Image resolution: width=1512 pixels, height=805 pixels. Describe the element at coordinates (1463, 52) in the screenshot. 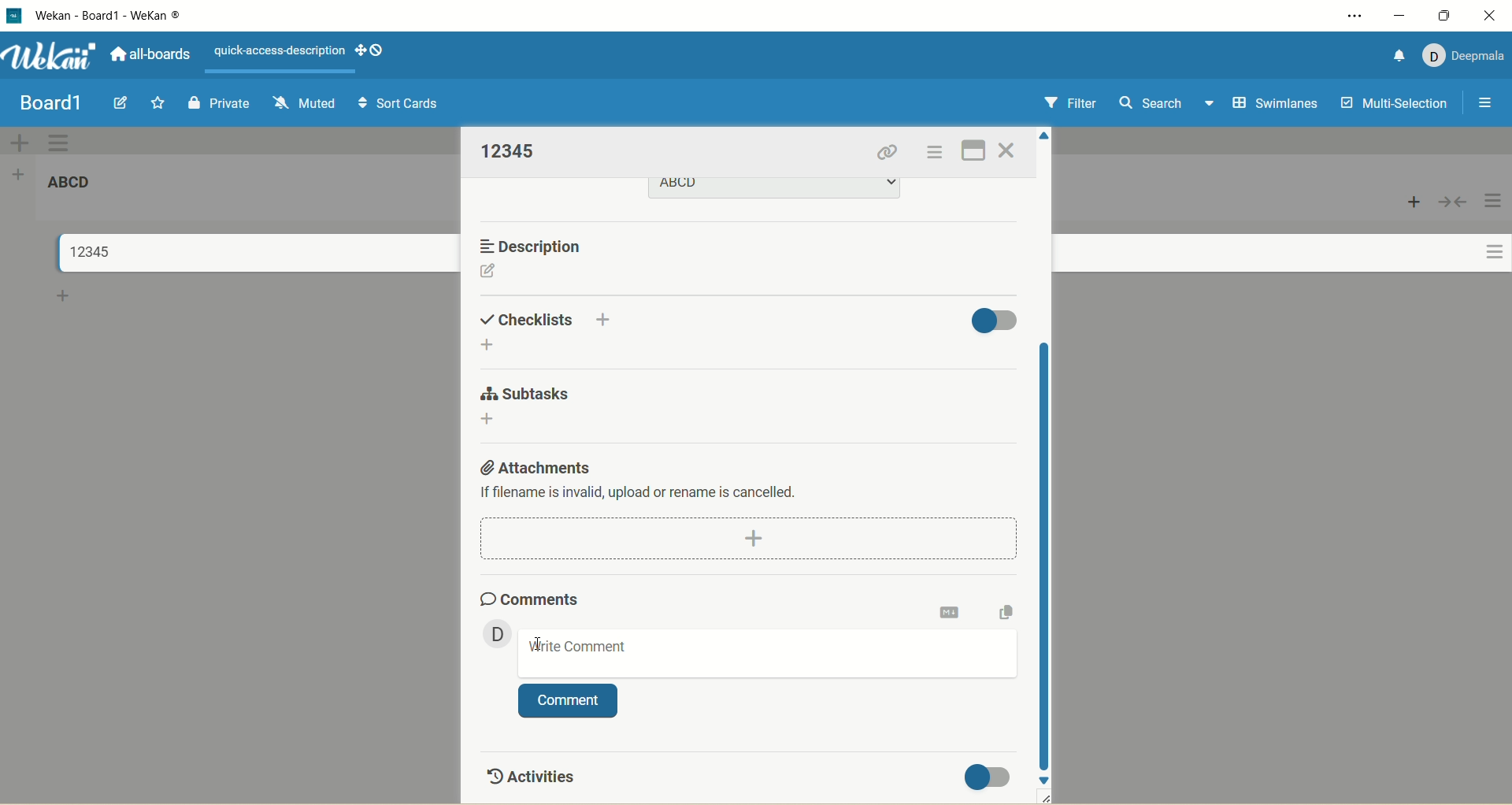

I see `account` at that location.